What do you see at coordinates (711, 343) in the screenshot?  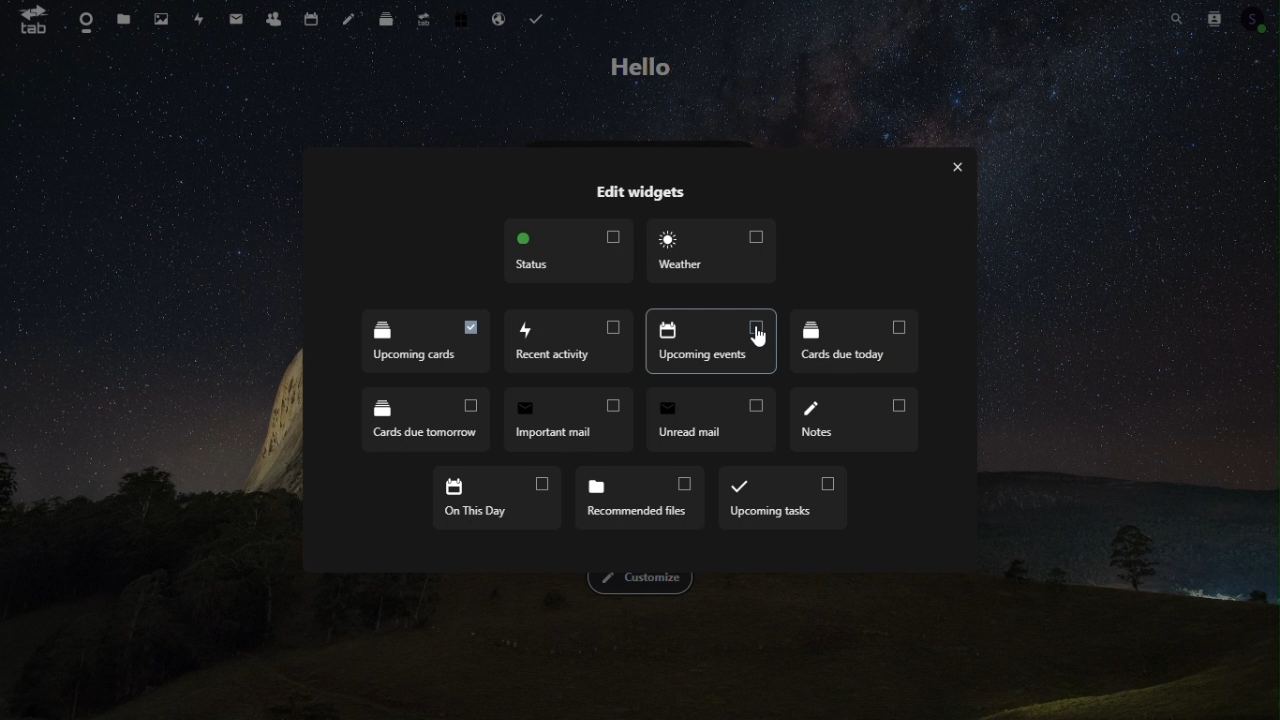 I see `Upcoming cards` at bounding box center [711, 343].